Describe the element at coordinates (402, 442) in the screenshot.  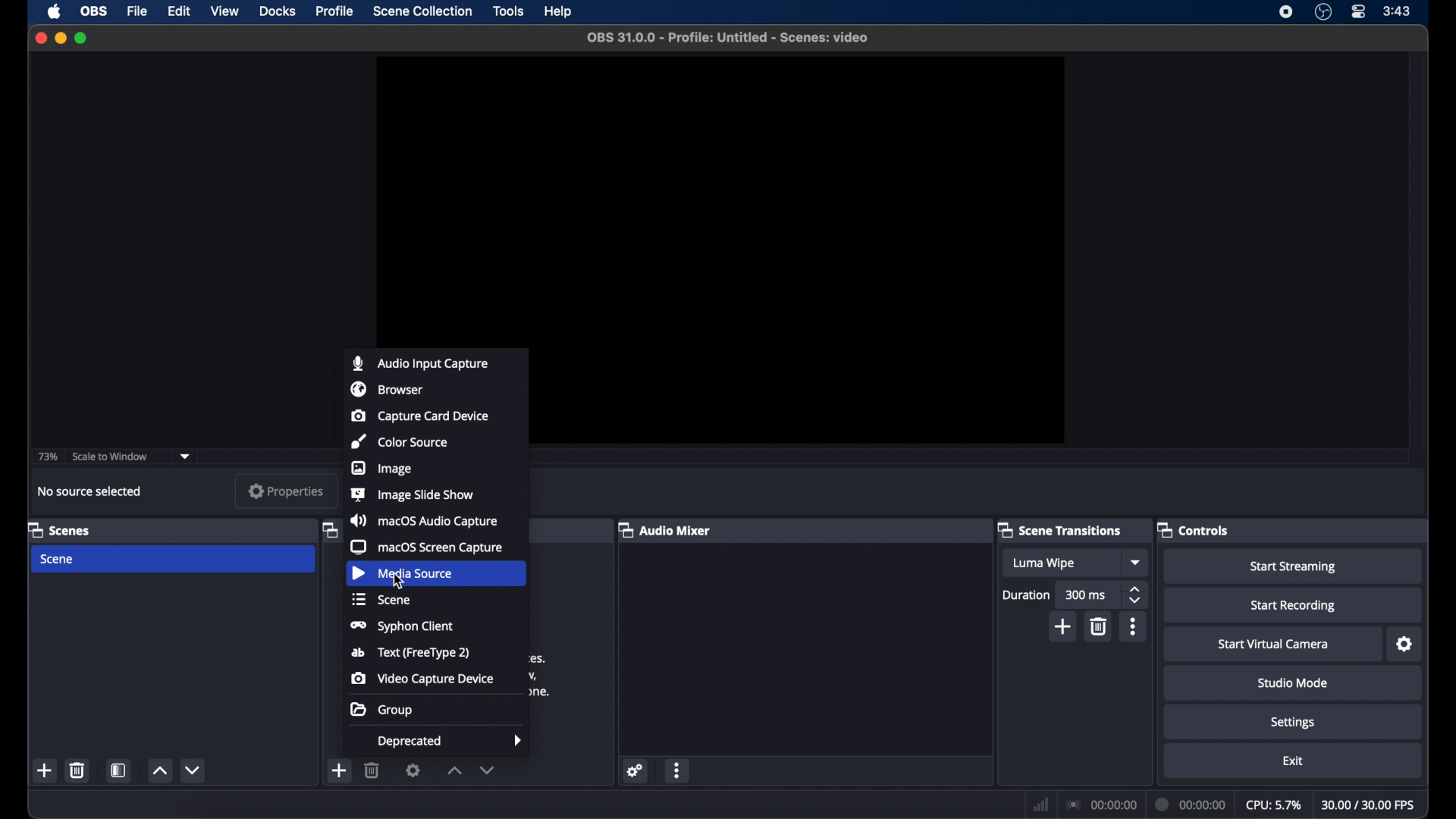
I see `color source` at that location.